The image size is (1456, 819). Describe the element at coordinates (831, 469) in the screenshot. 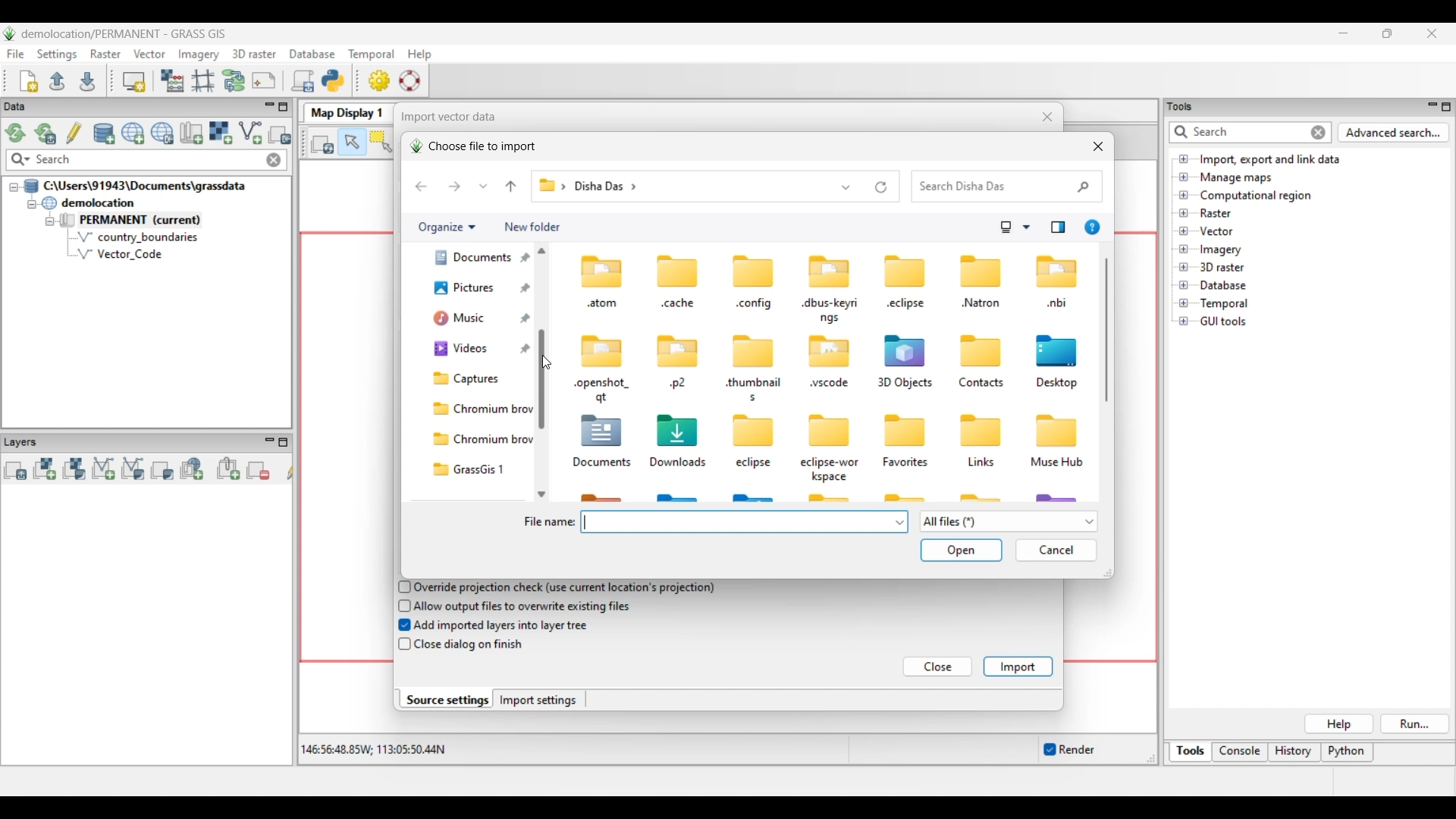

I see `eclipse-wor
kspace` at that location.